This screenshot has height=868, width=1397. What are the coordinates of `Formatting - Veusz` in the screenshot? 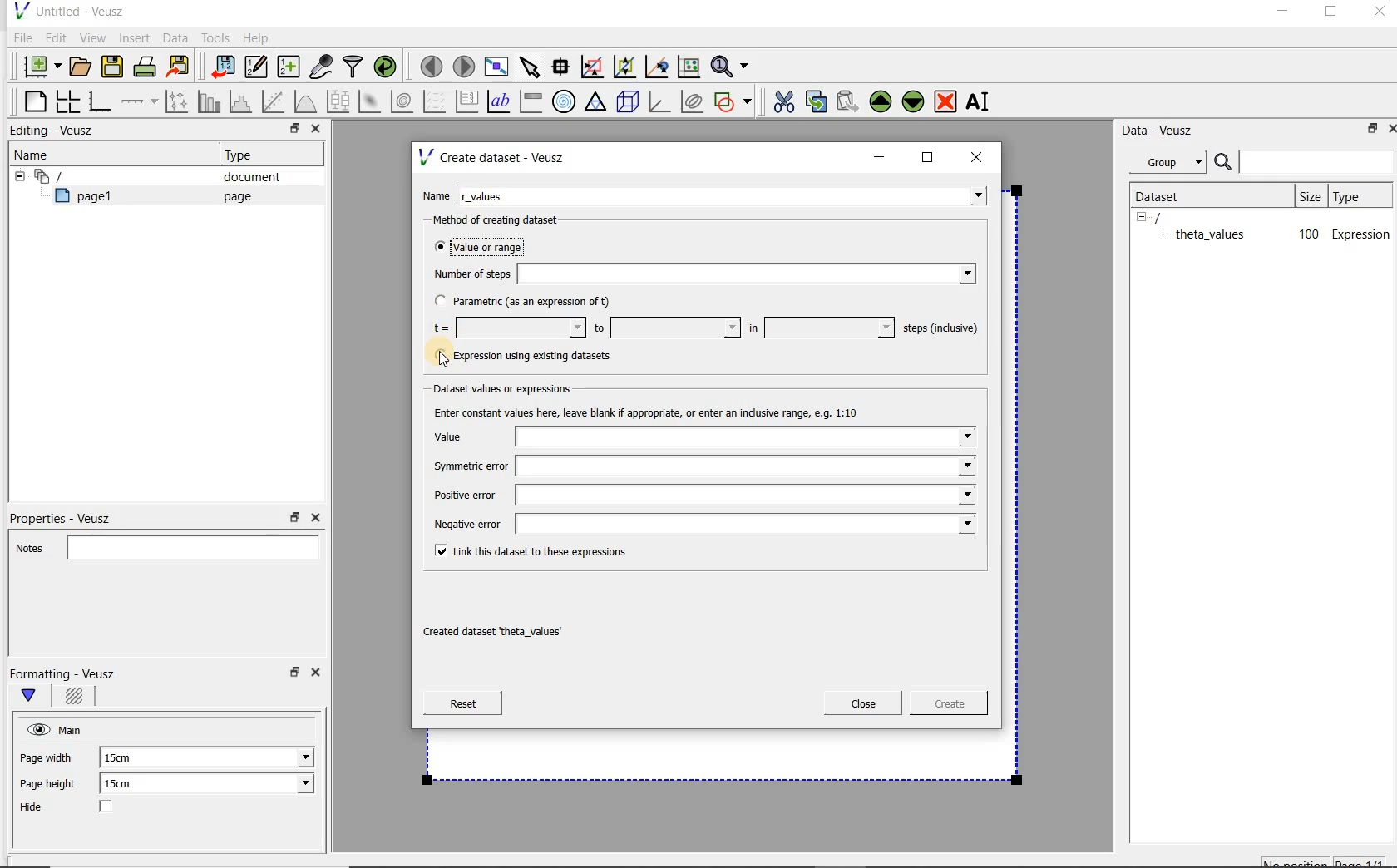 It's located at (65, 673).